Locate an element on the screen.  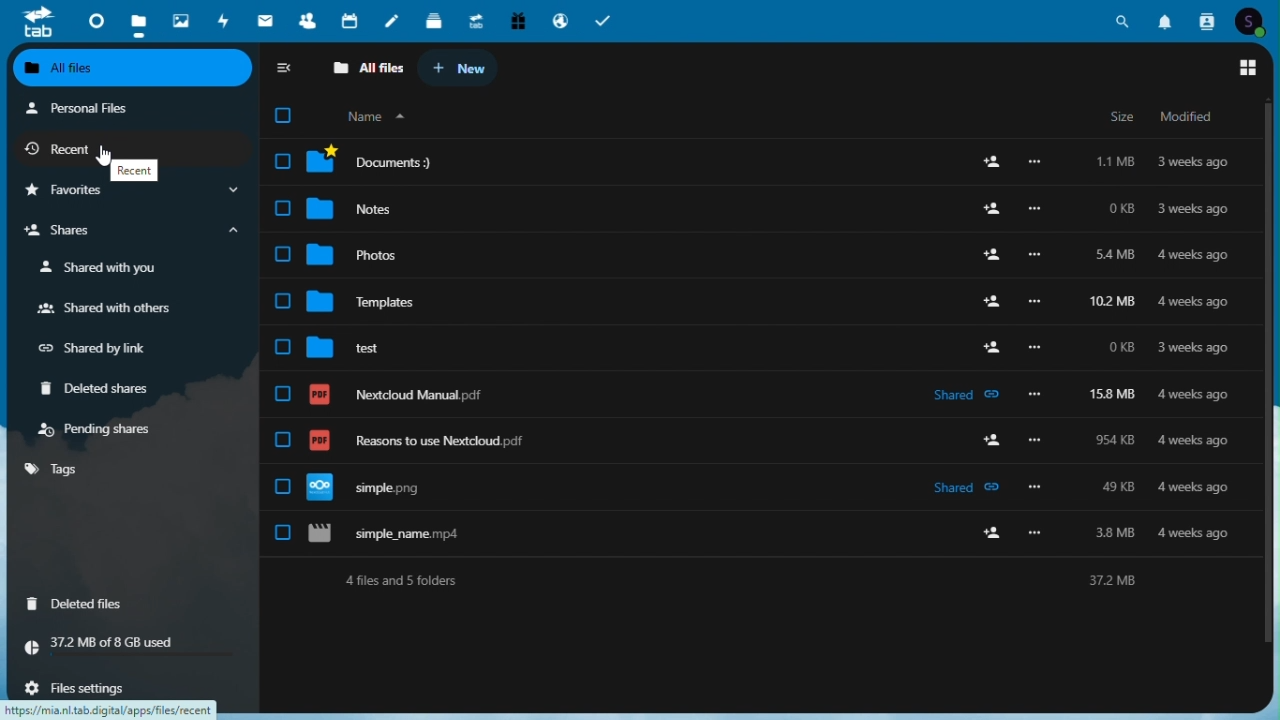
Account icon is located at coordinates (1251, 20).